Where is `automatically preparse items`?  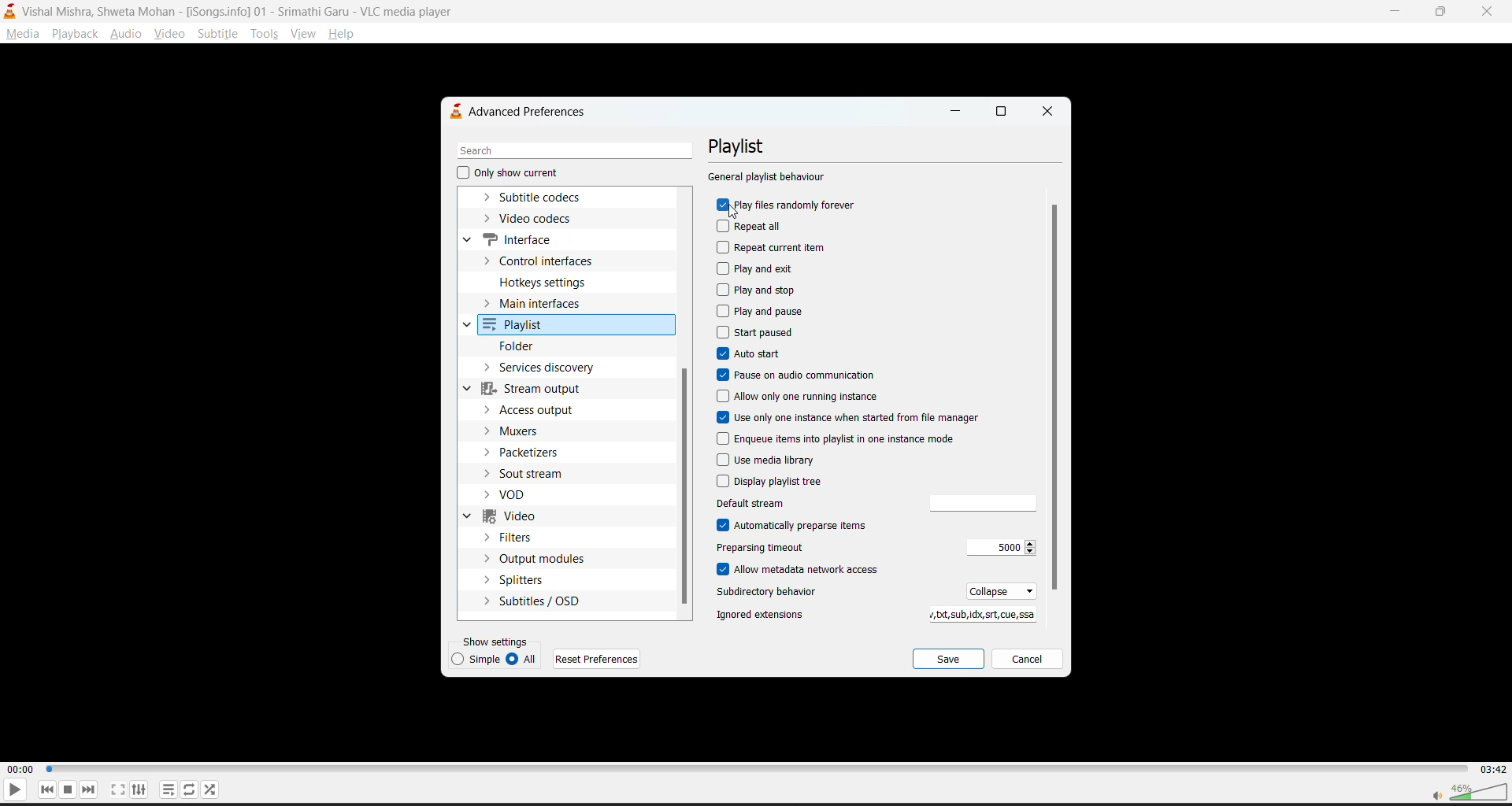
automatically preparse items is located at coordinates (794, 526).